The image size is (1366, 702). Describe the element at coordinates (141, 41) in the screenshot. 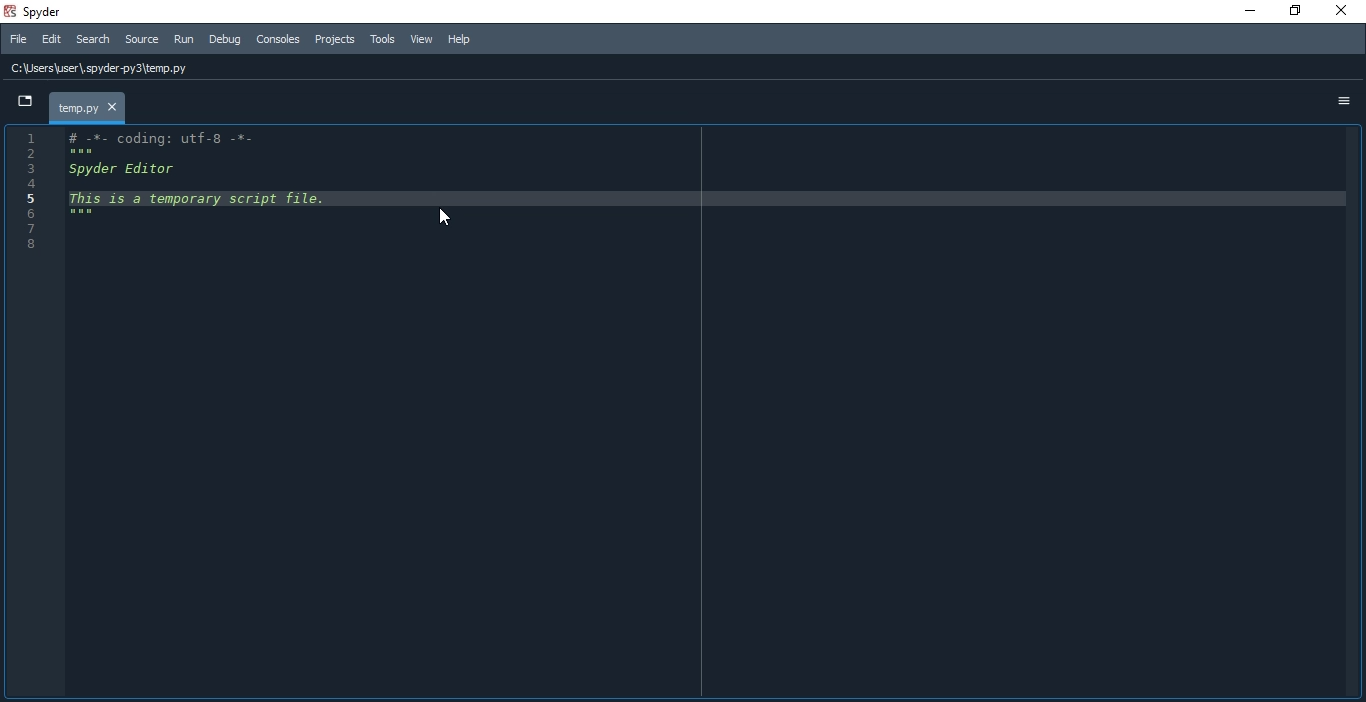

I see `source ` at that location.